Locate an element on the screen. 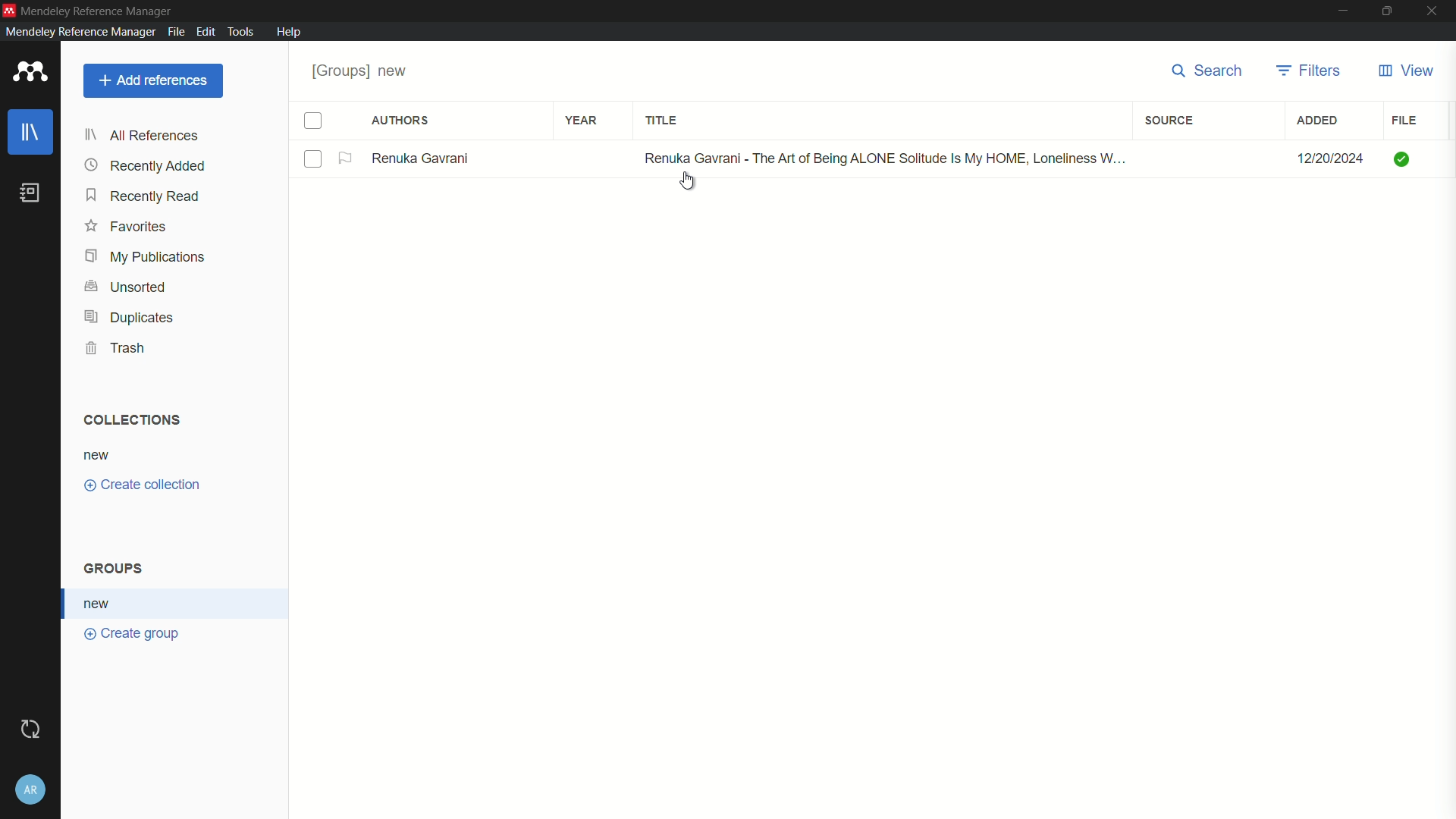 The height and width of the screenshot is (819, 1456). favorites is located at coordinates (127, 228).